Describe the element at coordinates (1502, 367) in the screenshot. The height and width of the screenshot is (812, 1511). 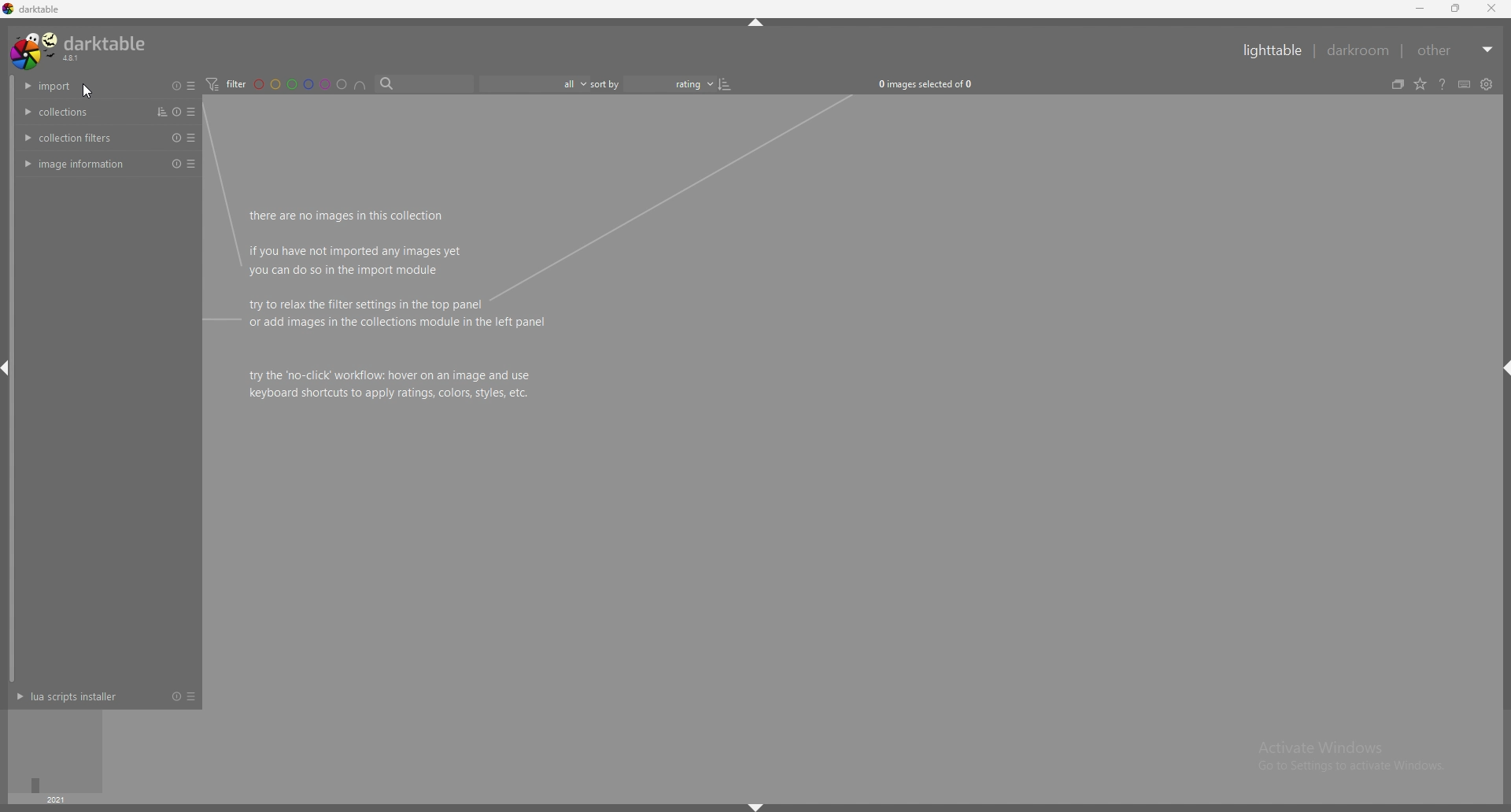
I see `hide` at that location.